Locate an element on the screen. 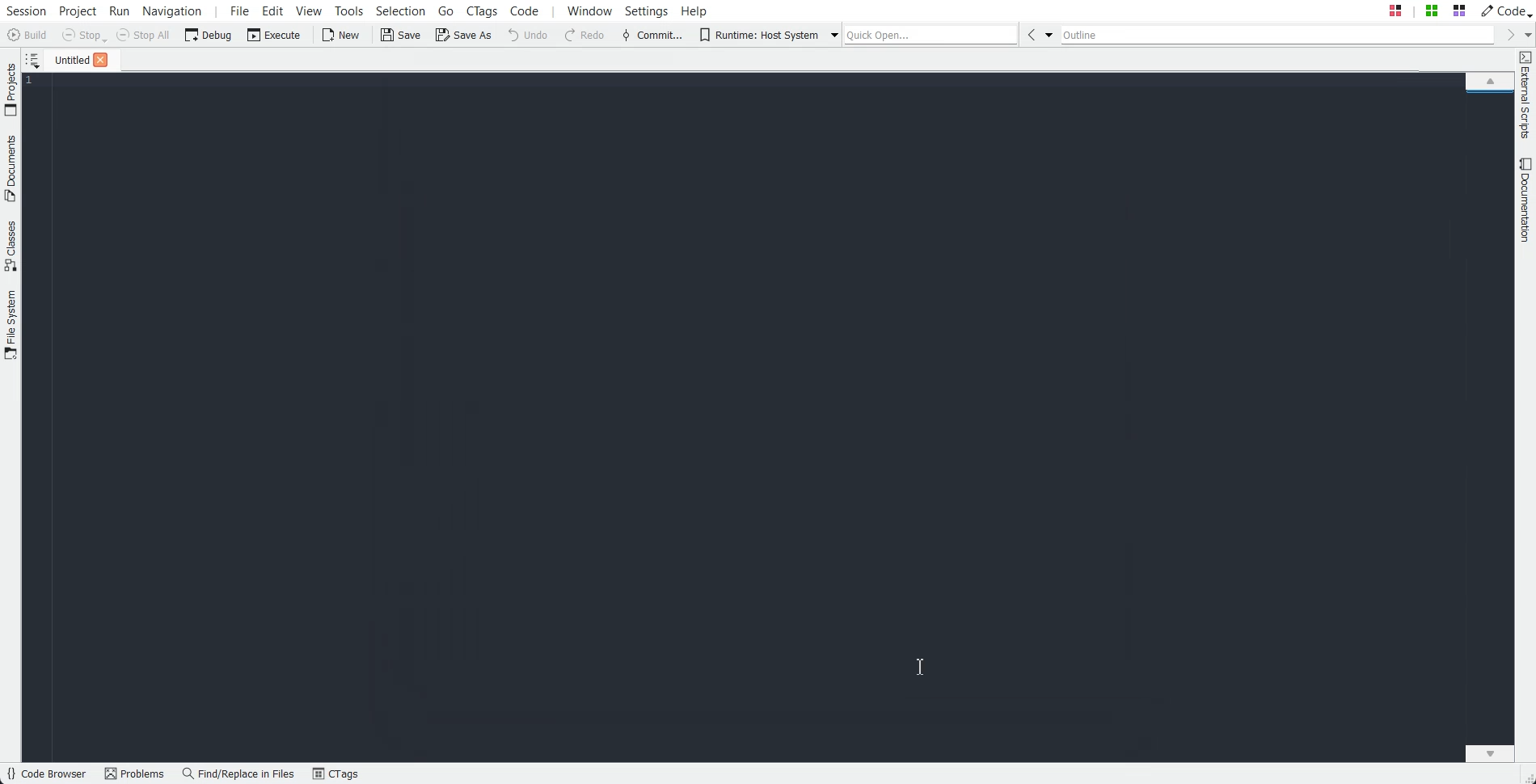  Show sorted list is located at coordinates (32, 60).